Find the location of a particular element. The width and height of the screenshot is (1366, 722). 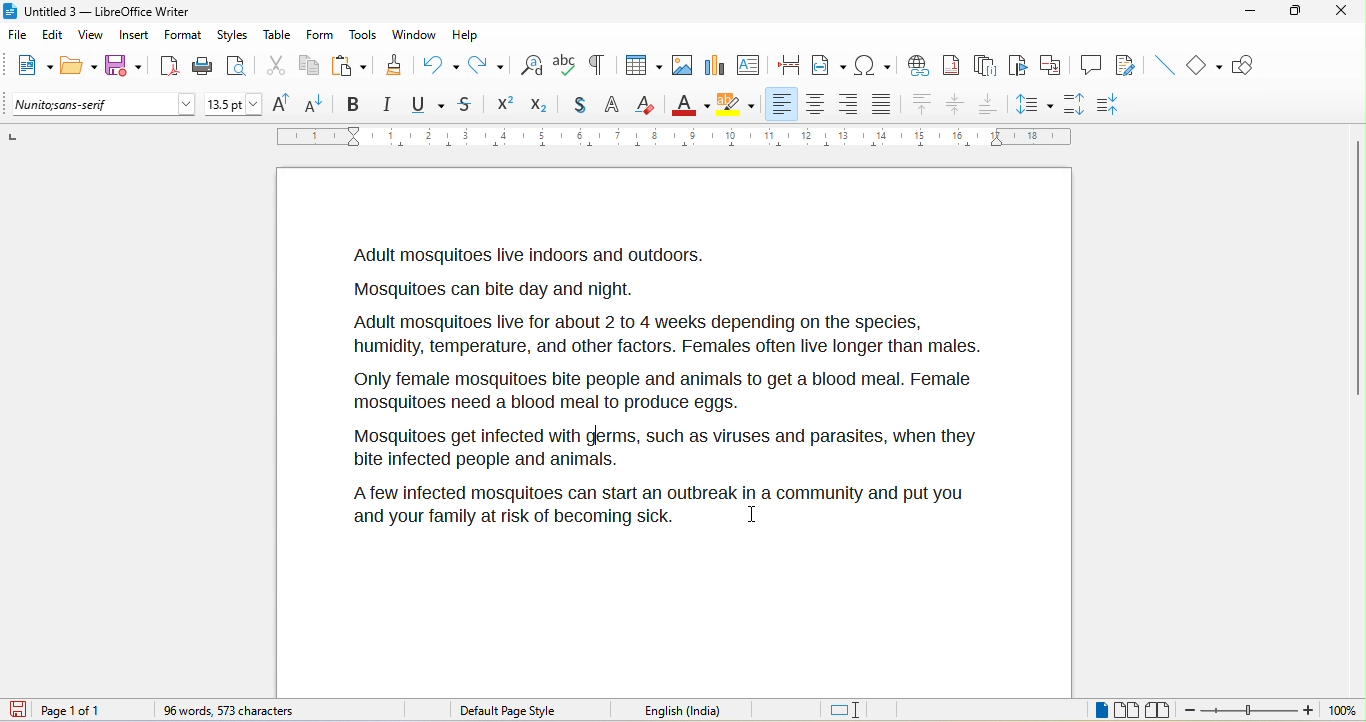

table is located at coordinates (278, 36).